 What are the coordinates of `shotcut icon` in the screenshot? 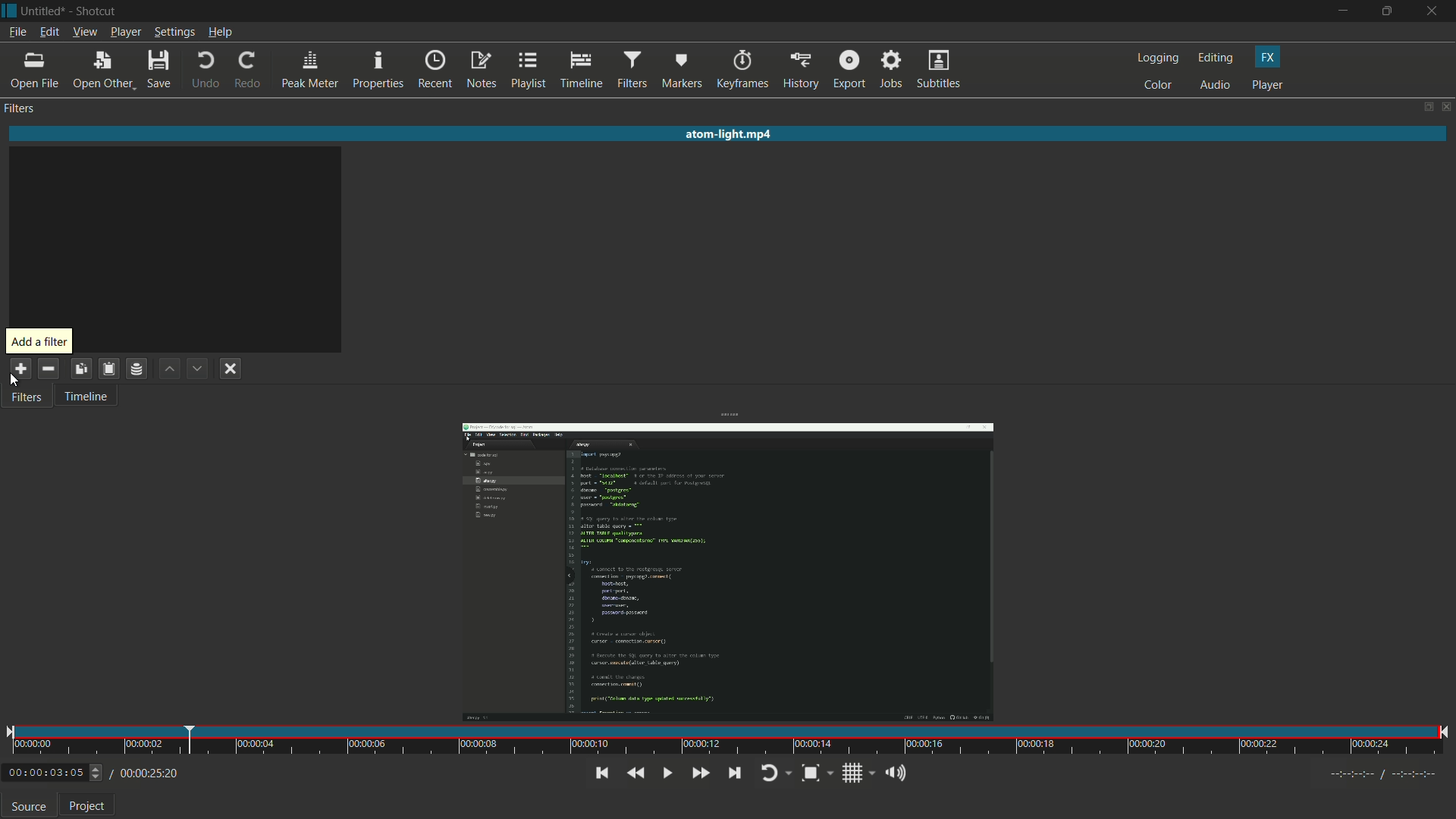 It's located at (9, 10).